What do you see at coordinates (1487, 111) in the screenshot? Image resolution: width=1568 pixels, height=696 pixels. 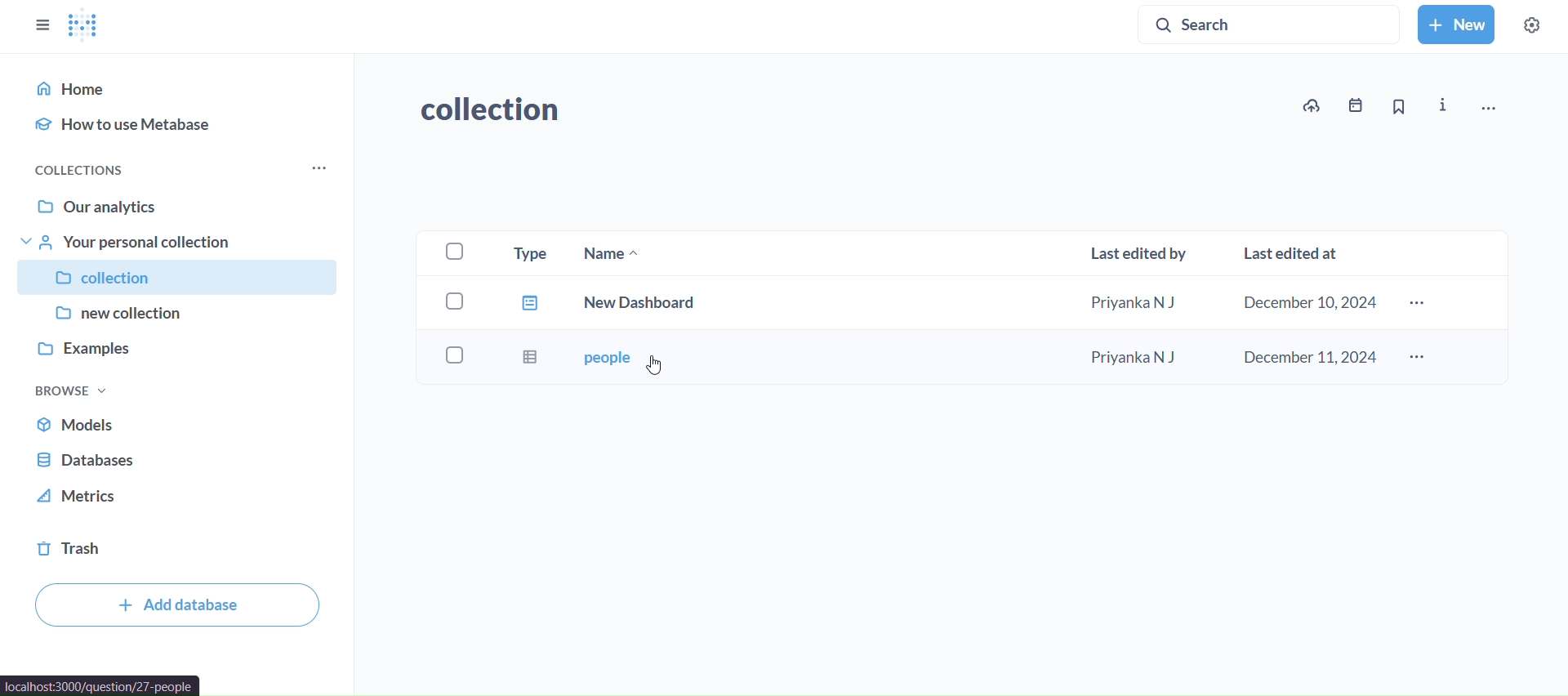 I see `move,trash, adn more` at bounding box center [1487, 111].